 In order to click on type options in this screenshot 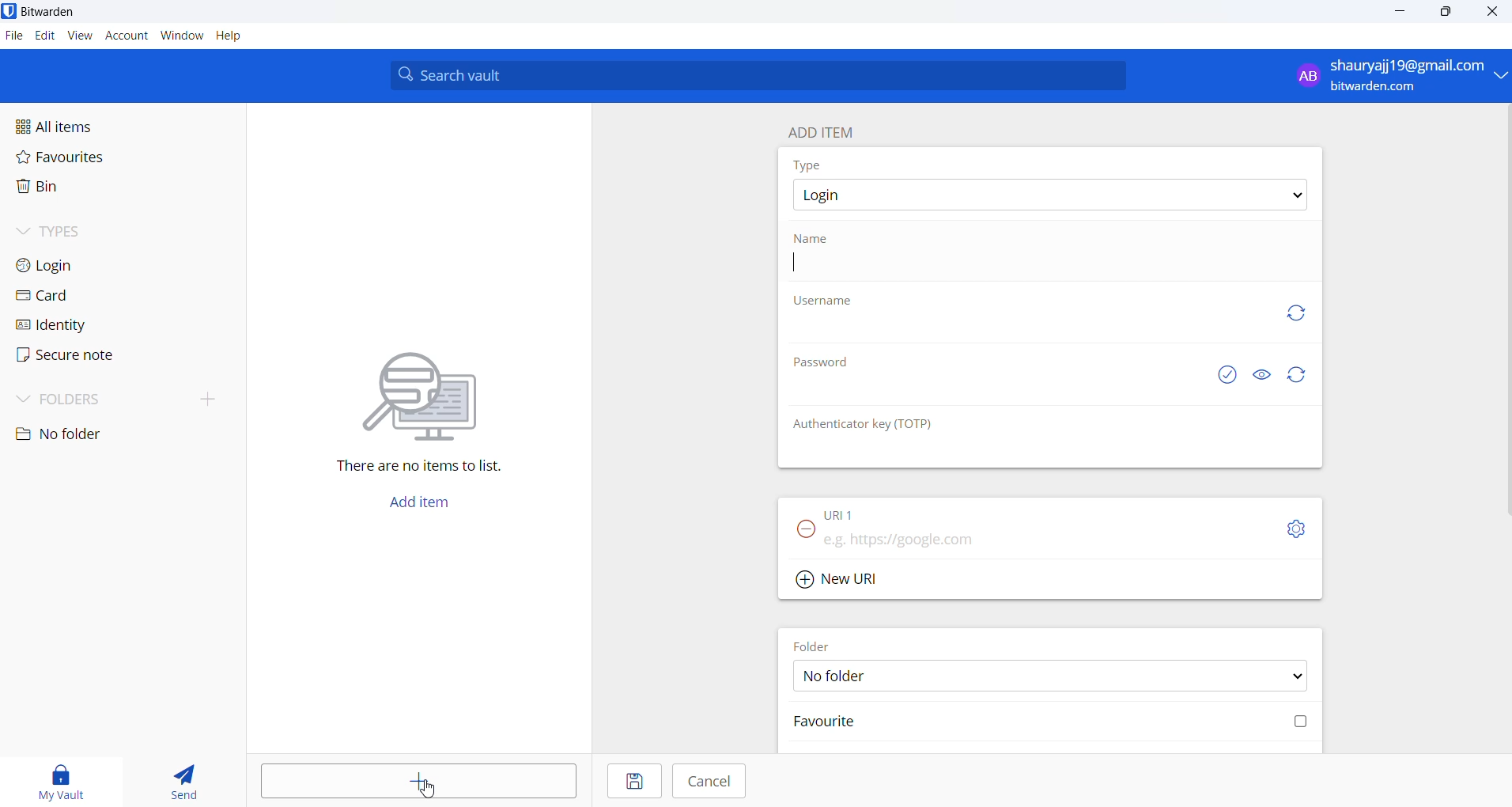, I will do `click(1054, 196)`.